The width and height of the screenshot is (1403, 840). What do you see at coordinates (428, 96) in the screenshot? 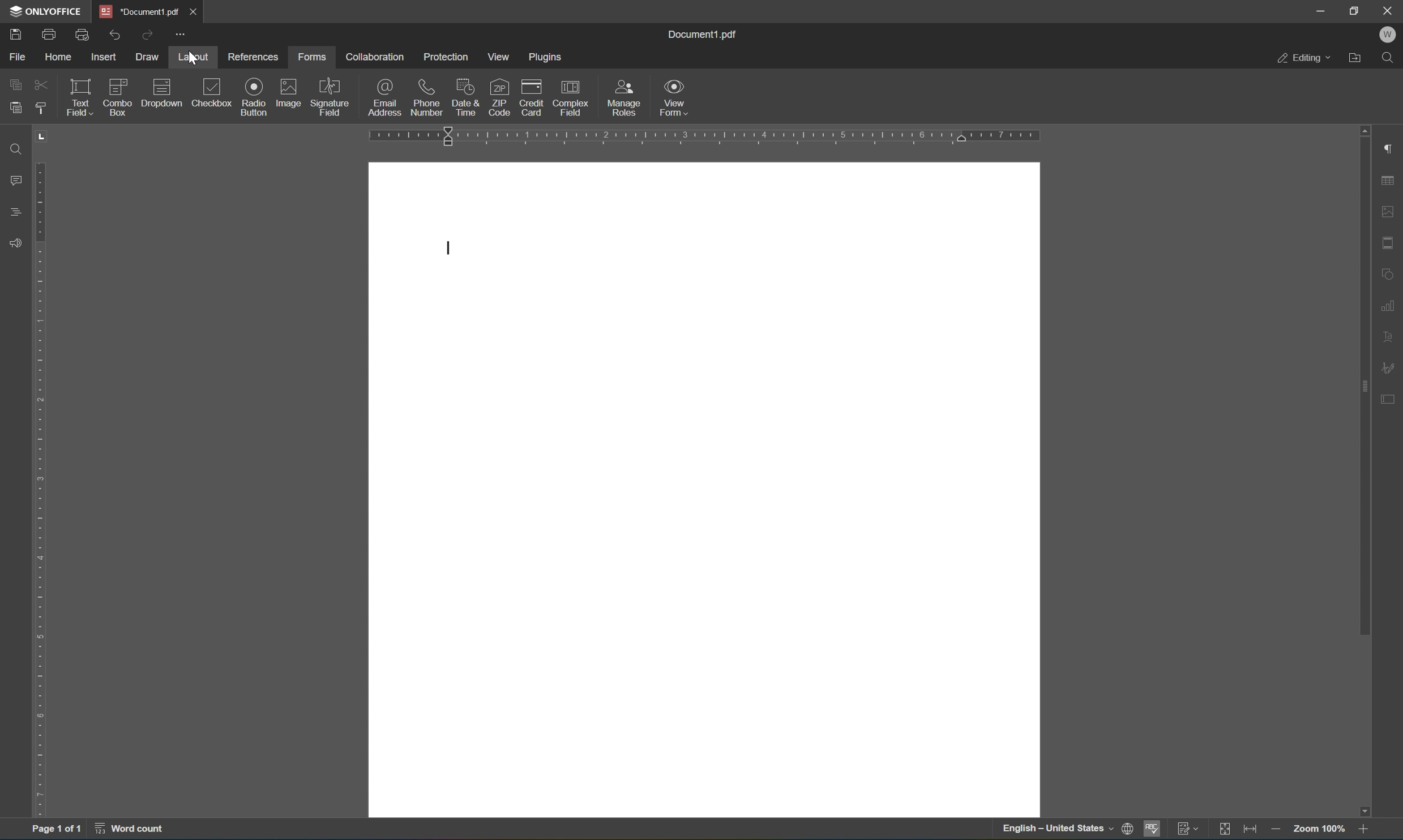
I see `phone number` at bounding box center [428, 96].